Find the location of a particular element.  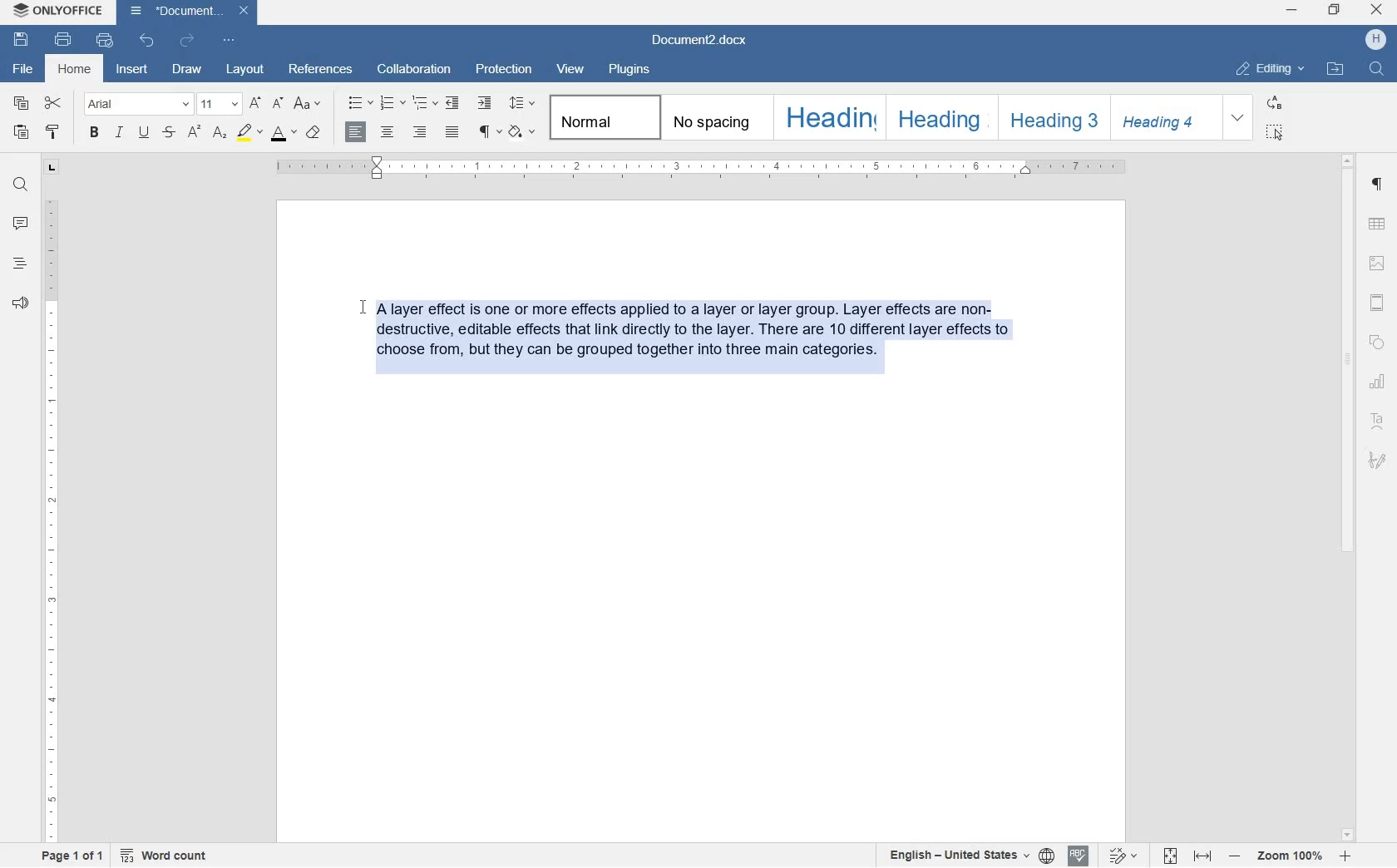

heading 2 is located at coordinates (940, 117).